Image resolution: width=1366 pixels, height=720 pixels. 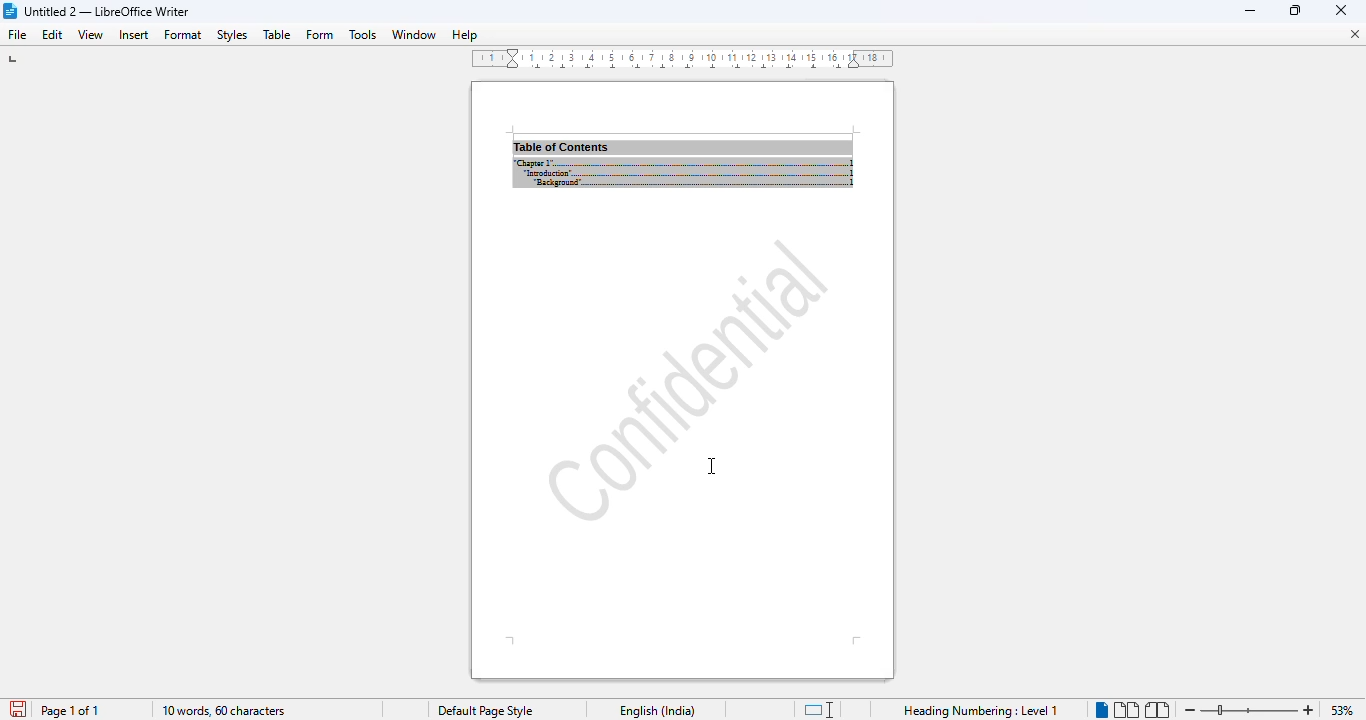 I want to click on book view, so click(x=1156, y=710).